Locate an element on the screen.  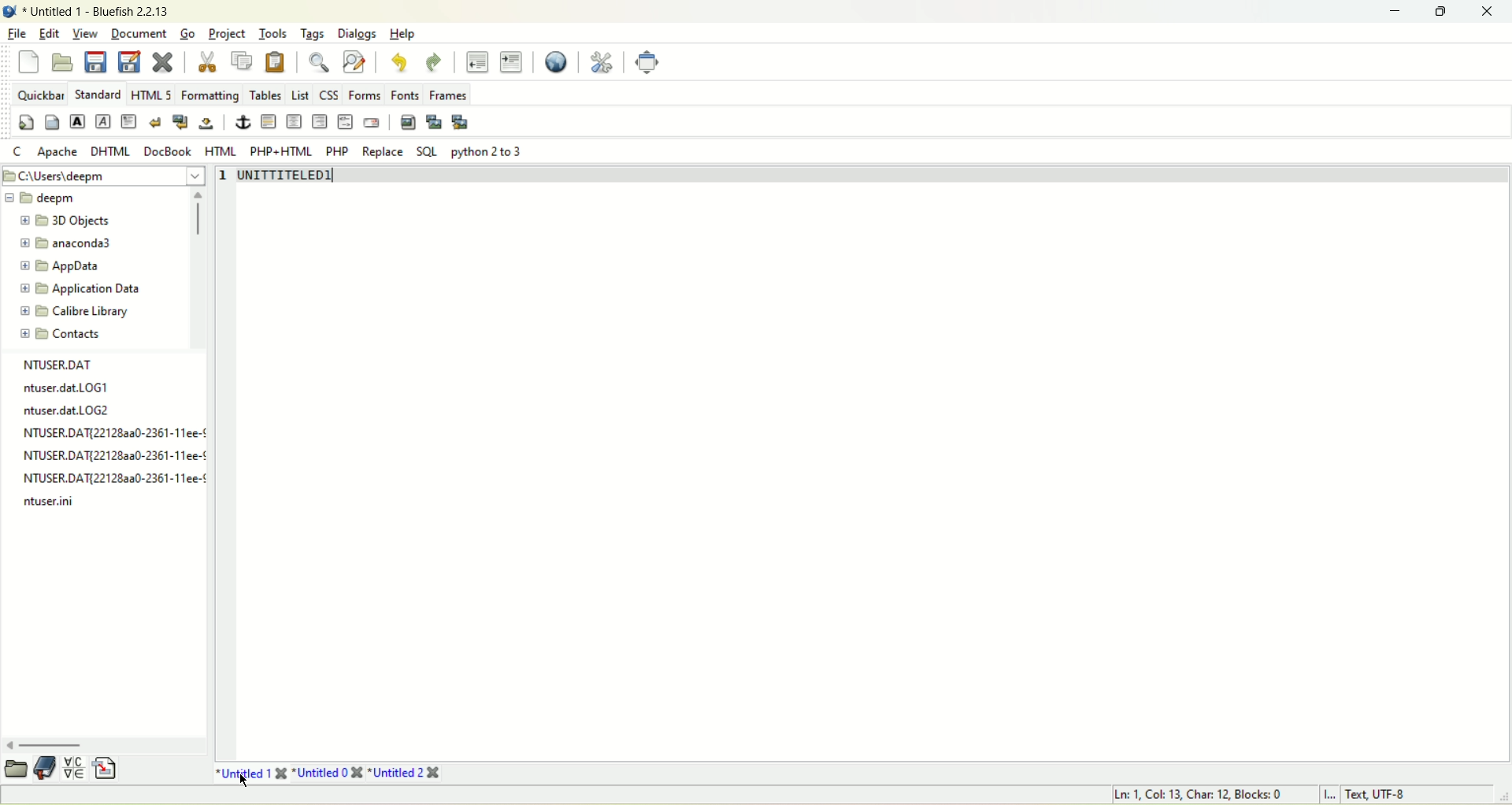
preview in browser is located at coordinates (556, 62).